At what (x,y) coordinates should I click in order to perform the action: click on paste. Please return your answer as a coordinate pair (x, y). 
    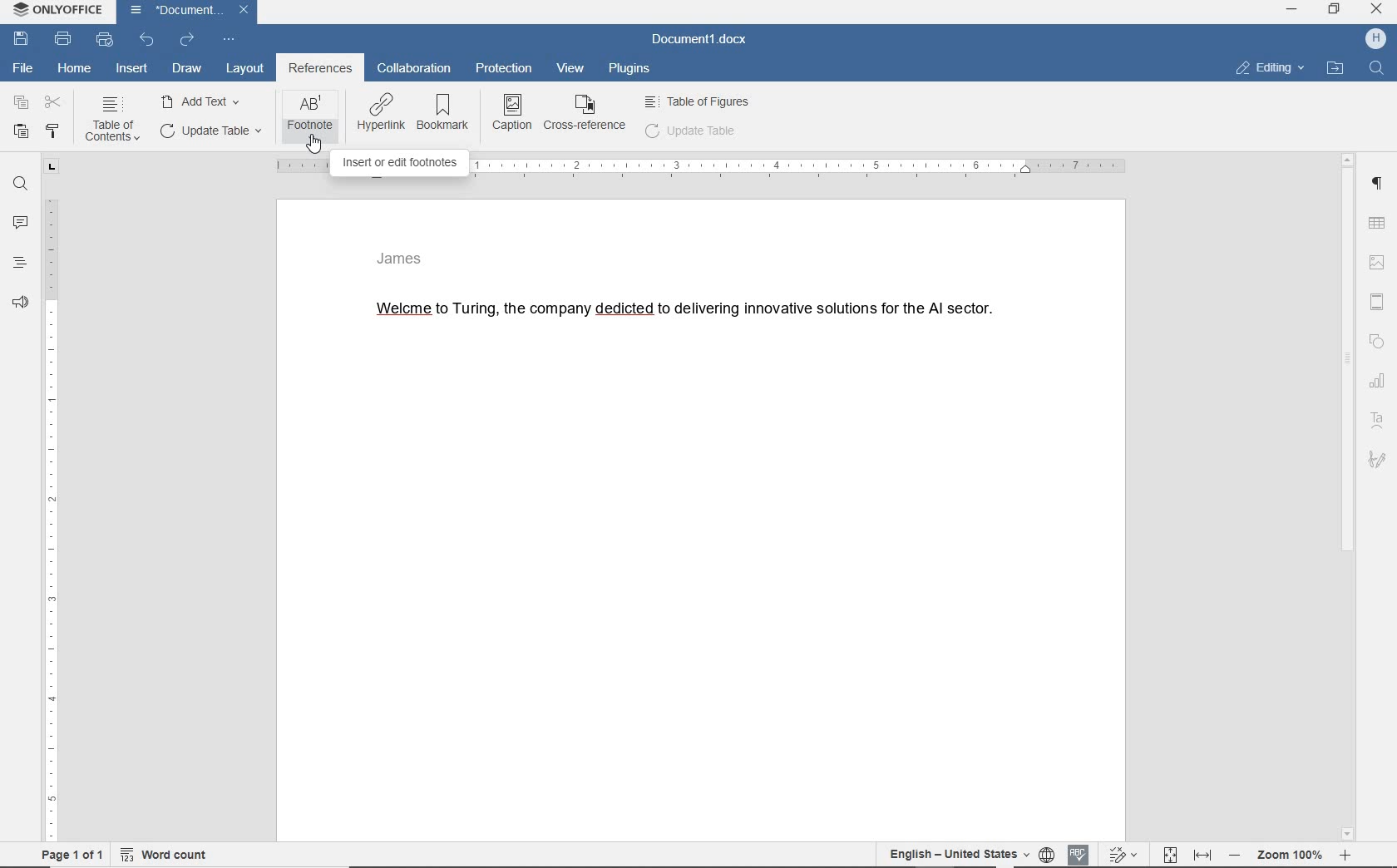
    Looking at the image, I should click on (19, 132).